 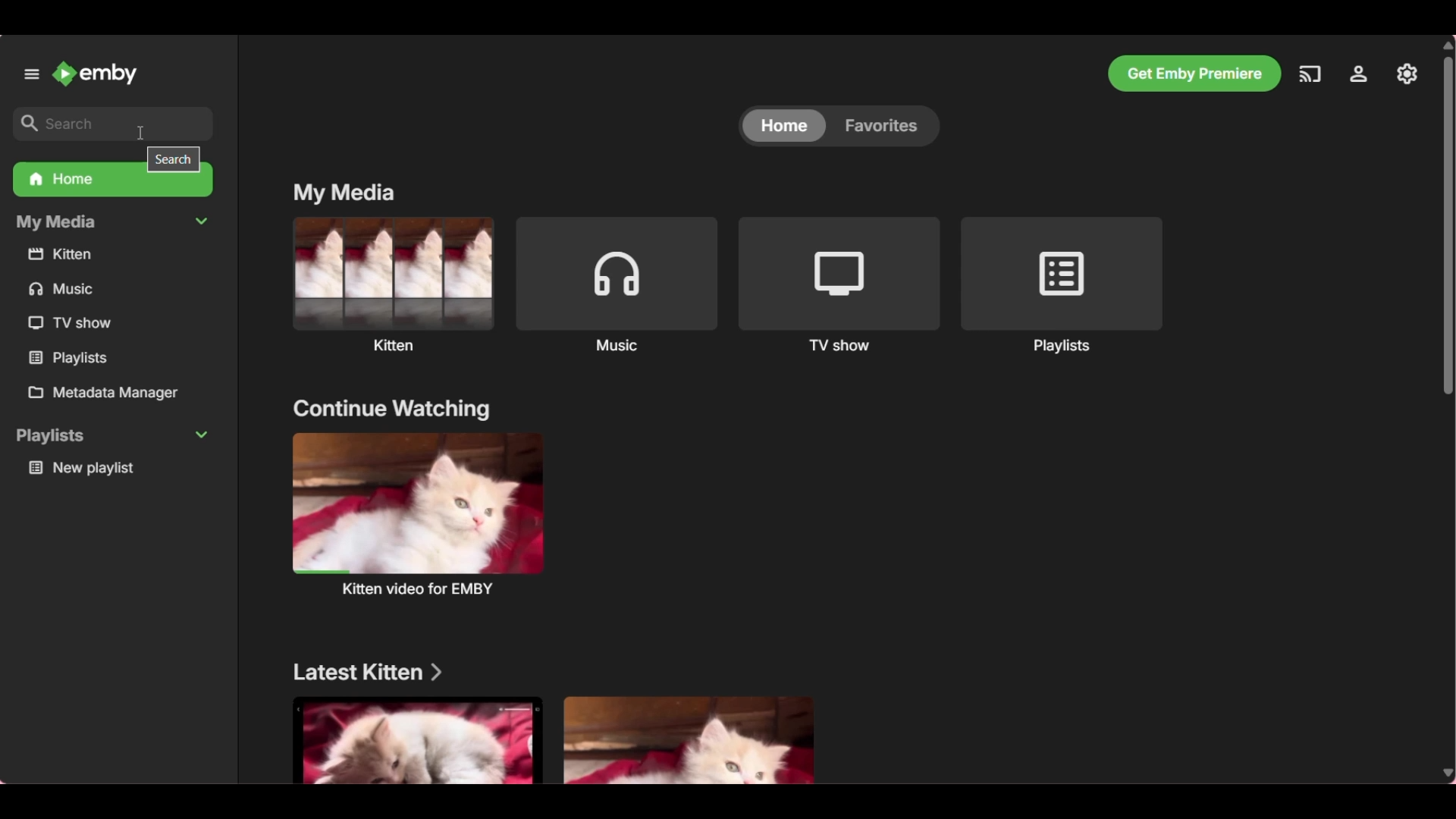 What do you see at coordinates (1194, 74) in the screenshot?
I see `Get Emby premiere` at bounding box center [1194, 74].